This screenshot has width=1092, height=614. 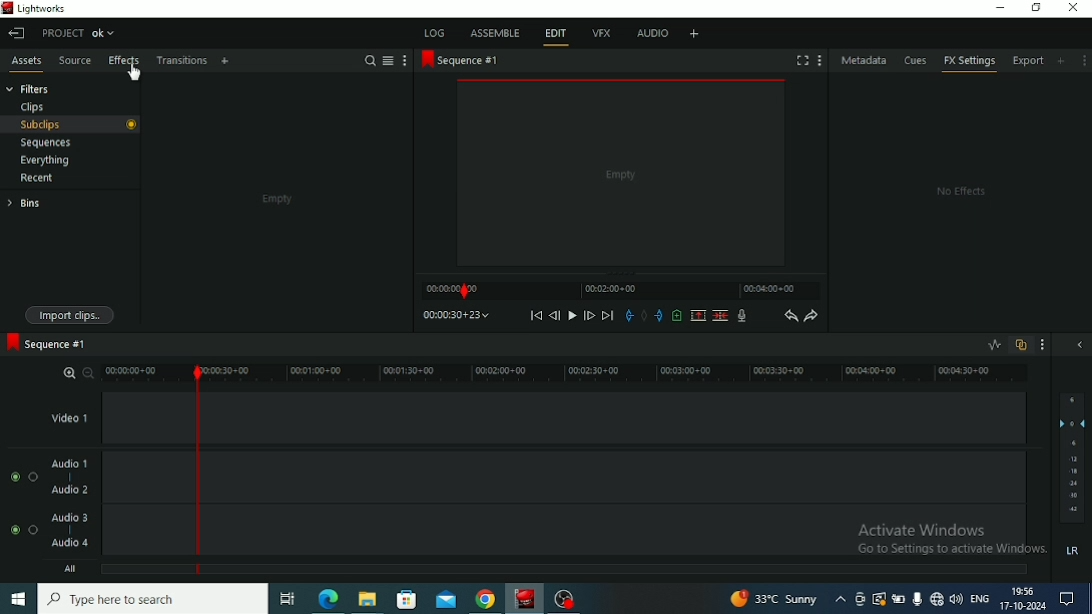 I want to click on Toggle auto track sync, so click(x=1021, y=345).